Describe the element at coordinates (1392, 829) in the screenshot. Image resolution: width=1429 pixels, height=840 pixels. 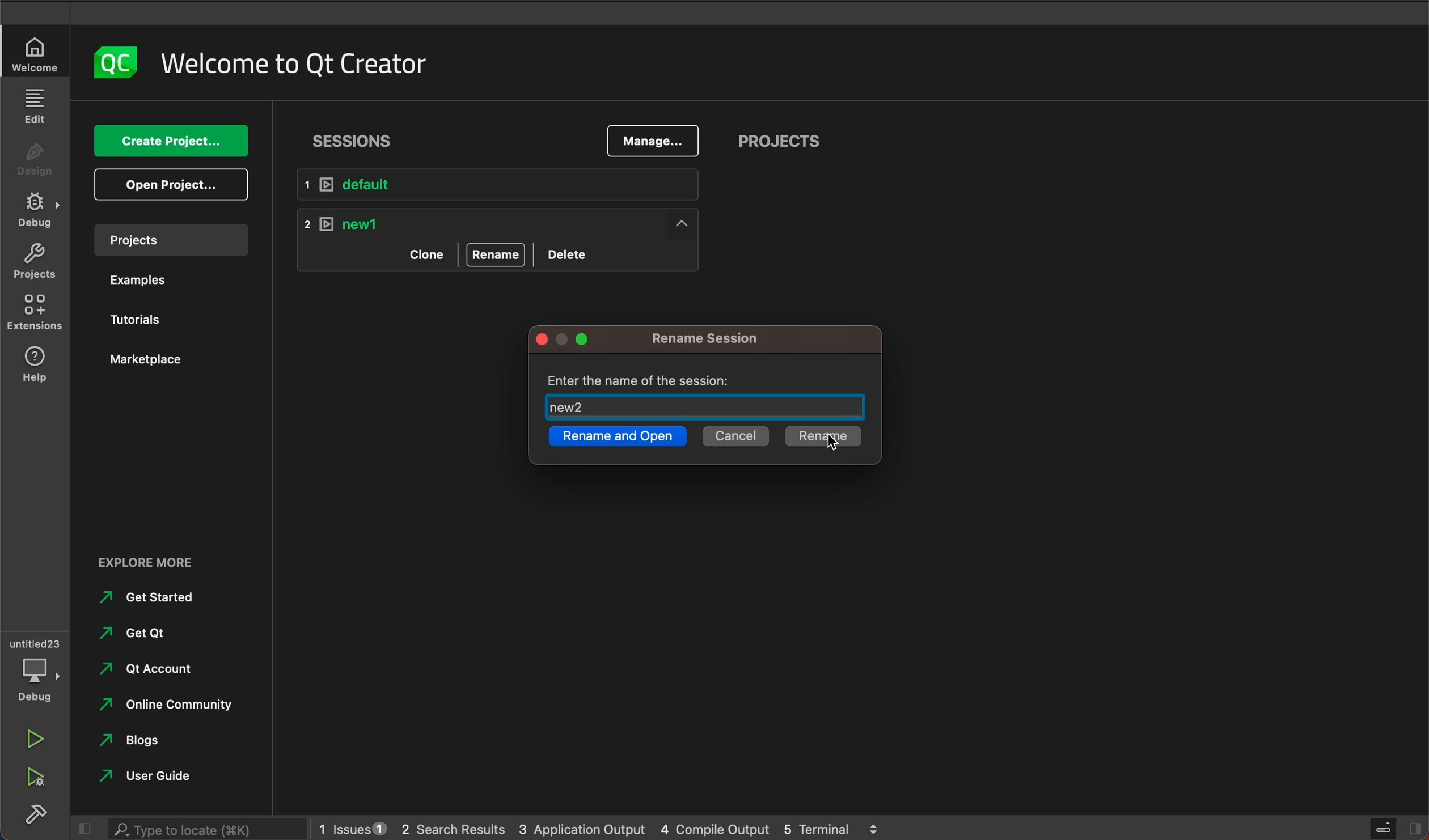
I see `close slide bar` at that location.